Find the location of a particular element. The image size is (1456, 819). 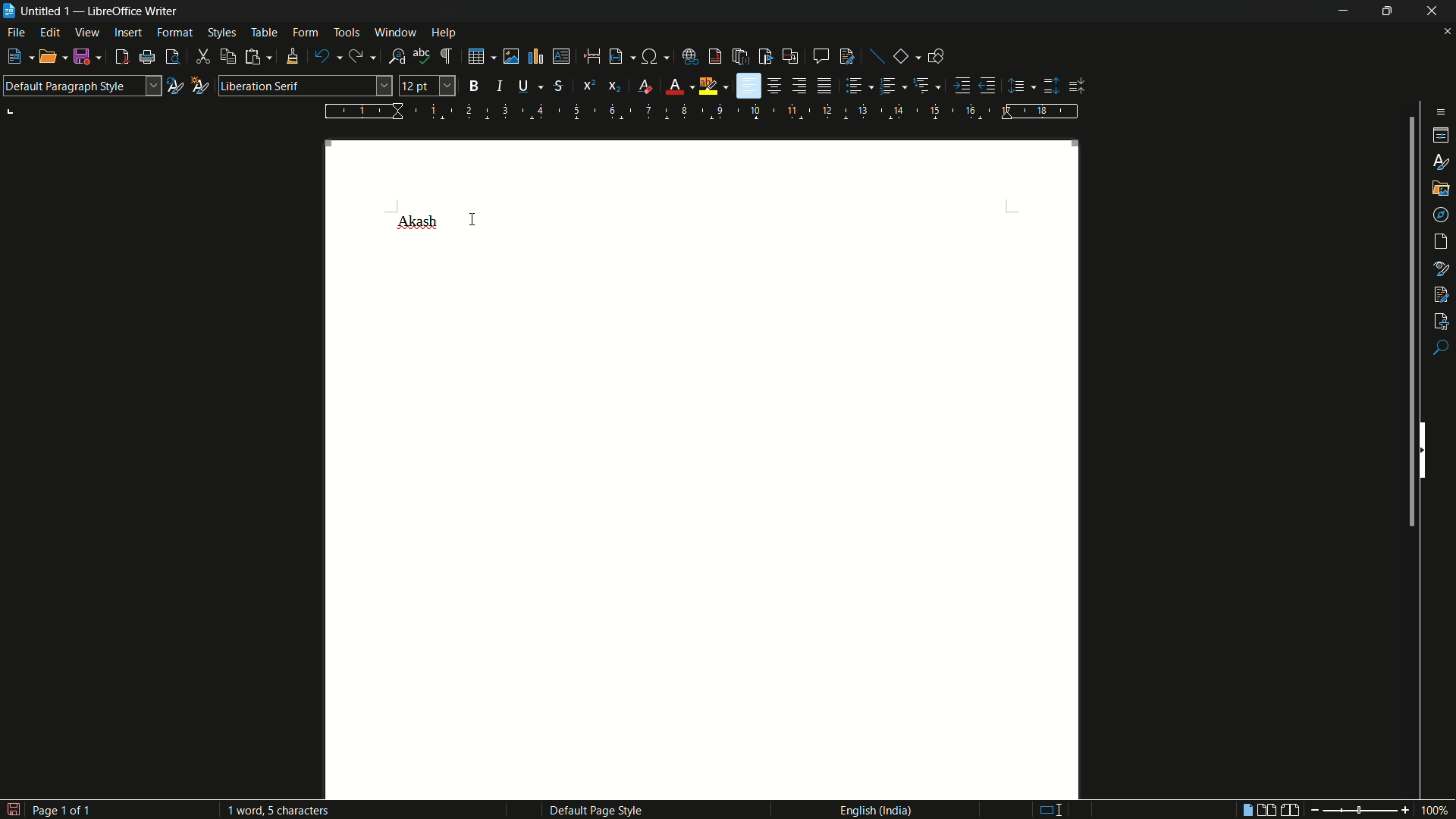

printer is located at coordinates (148, 58).